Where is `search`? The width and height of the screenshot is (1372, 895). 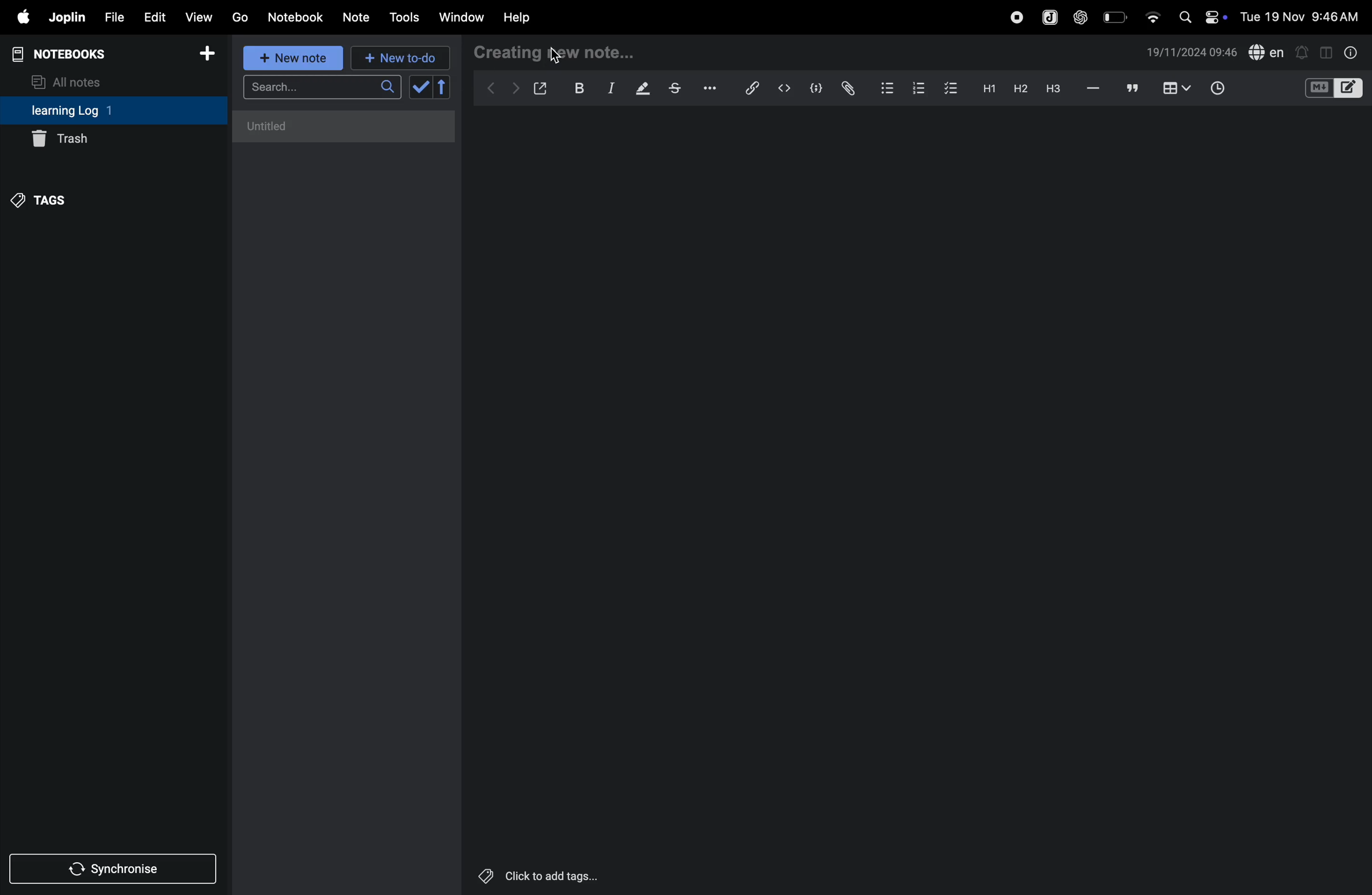
search is located at coordinates (322, 91).